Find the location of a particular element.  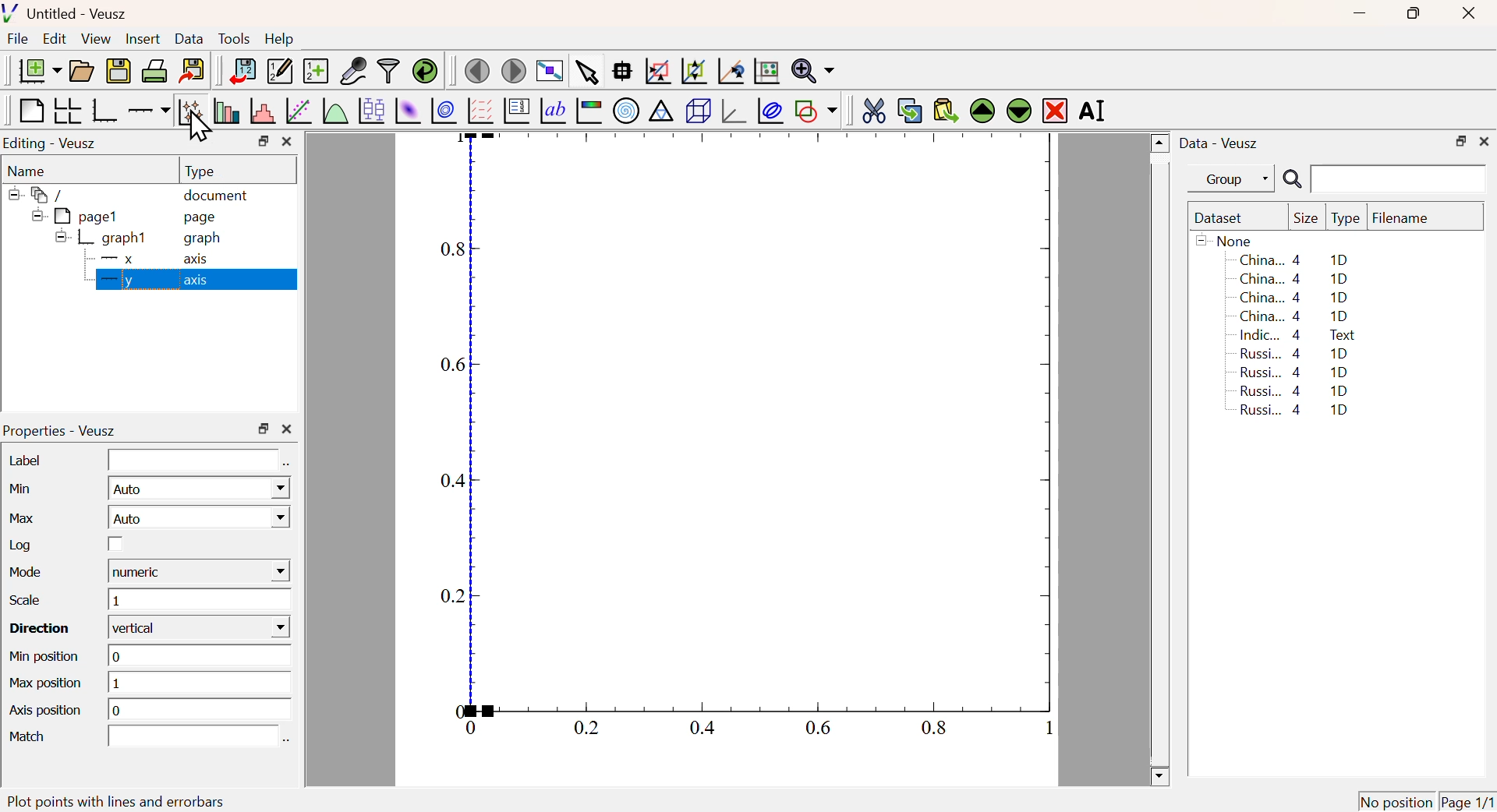

Zoom function menu is located at coordinates (813, 69).